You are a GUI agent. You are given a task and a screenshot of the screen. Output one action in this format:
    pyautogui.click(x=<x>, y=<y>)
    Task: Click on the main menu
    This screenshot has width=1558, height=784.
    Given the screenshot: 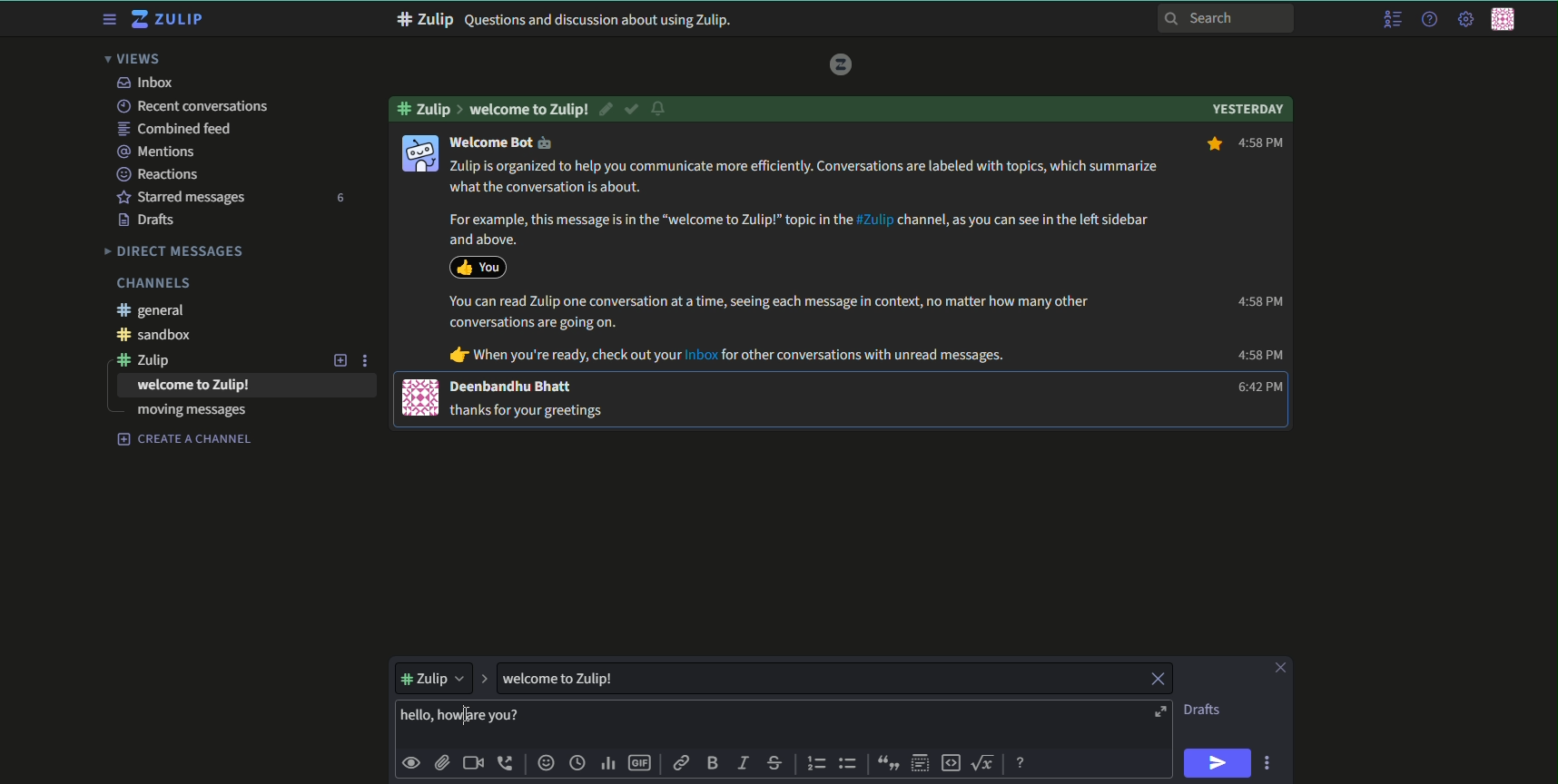 What is the action you would take?
    pyautogui.click(x=1464, y=19)
    